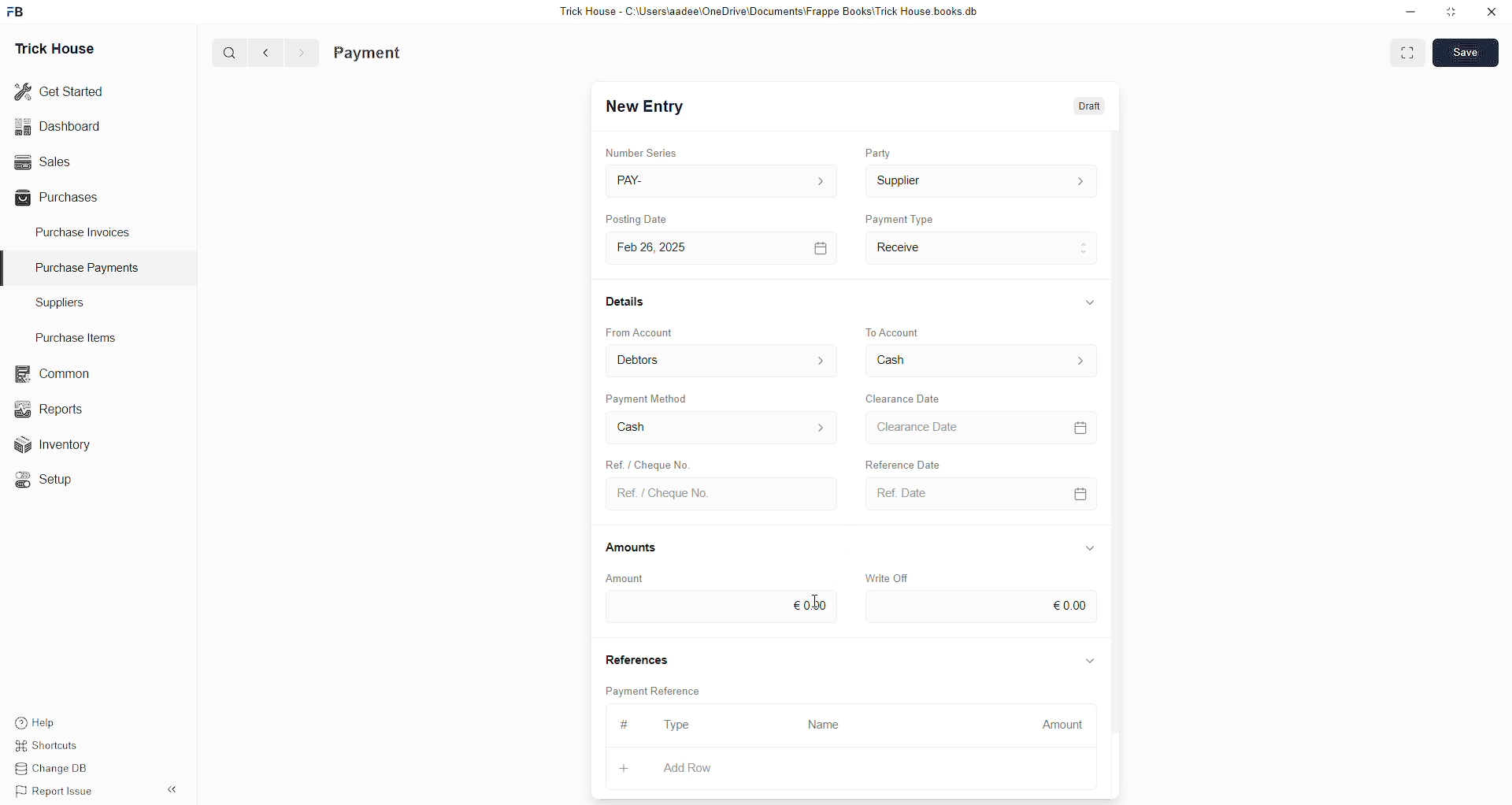  What do you see at coordinates (981, 247) in the screenshot?
I see ` Payment Type` at bounding box center [981, 247].